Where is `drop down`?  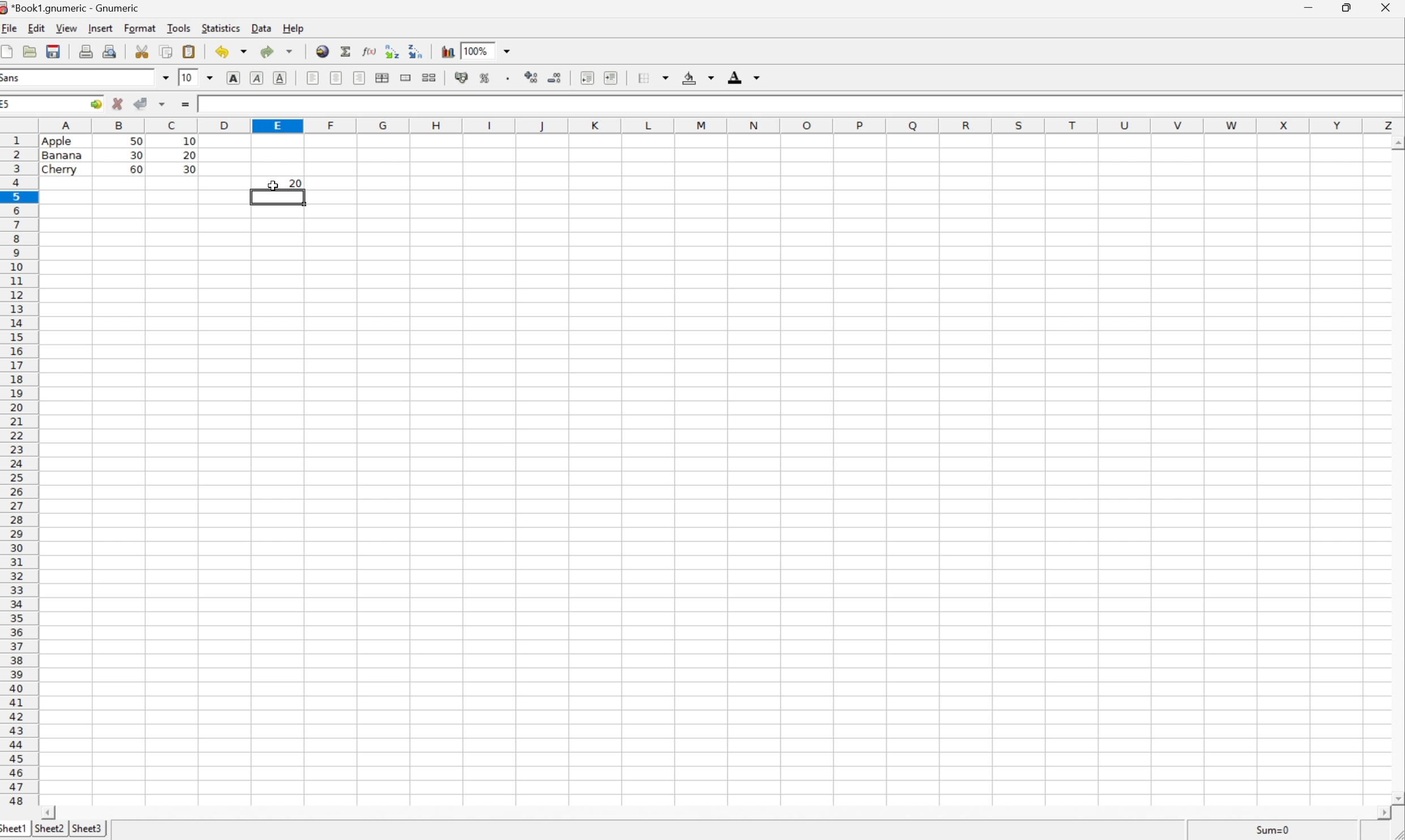 drop down is located at coordinates (208, 79).